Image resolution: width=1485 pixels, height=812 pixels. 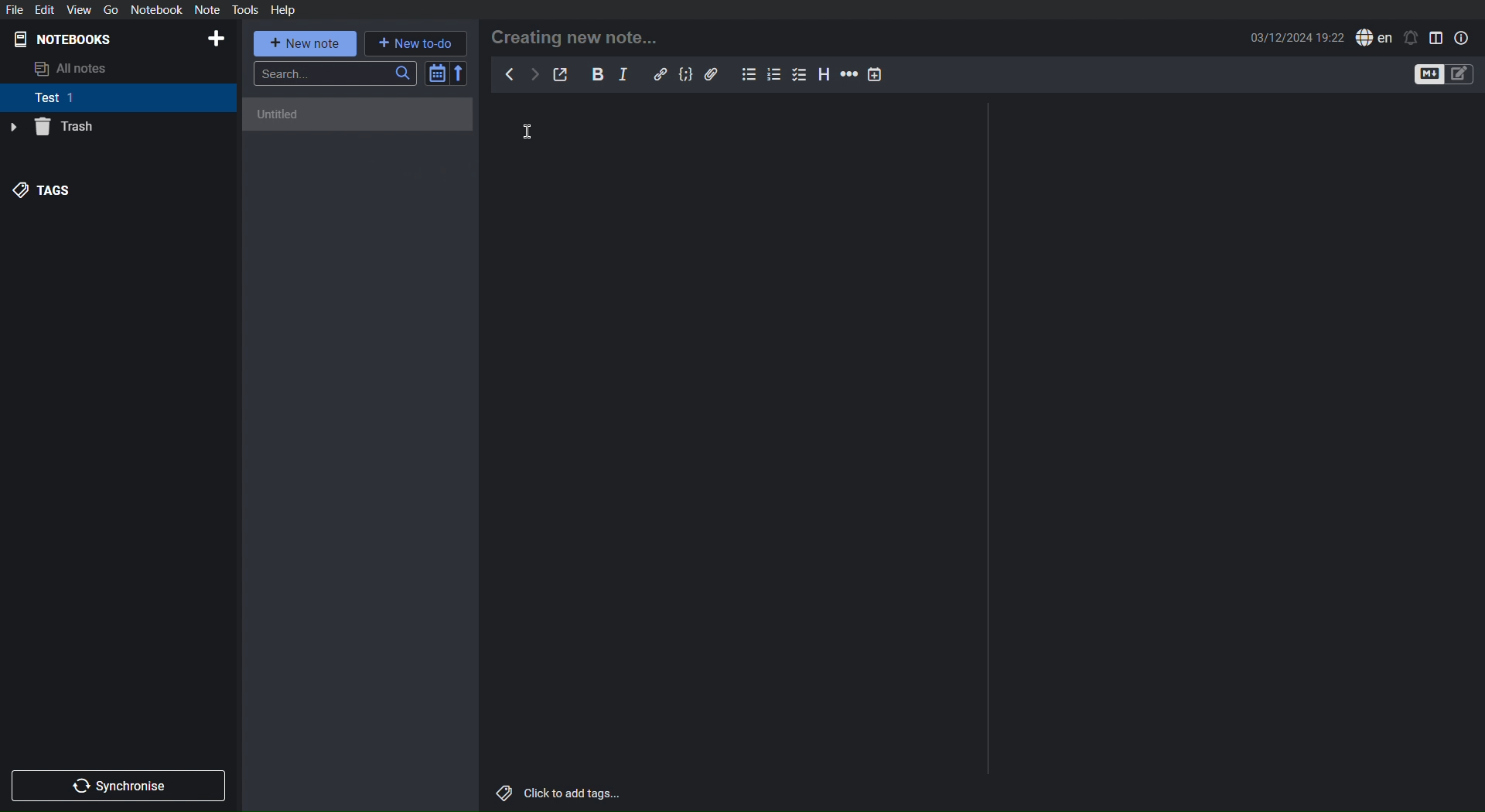 I want to click on Numbered List, so click(x=773, y=74).